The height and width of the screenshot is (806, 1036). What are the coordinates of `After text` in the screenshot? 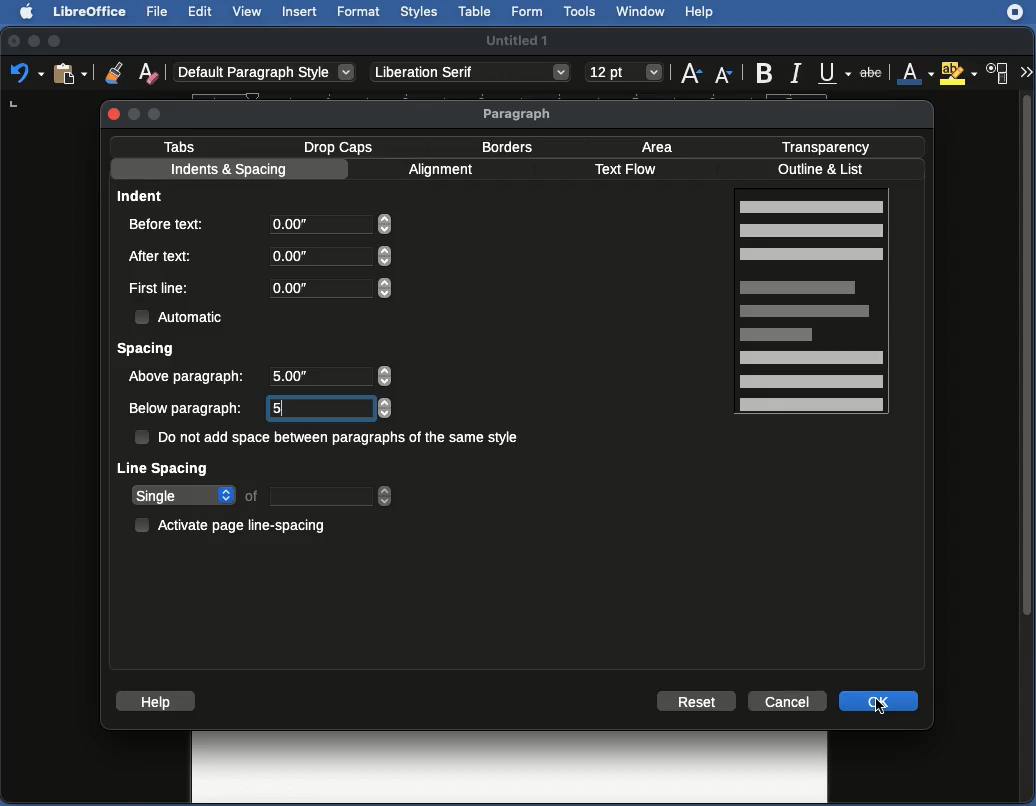 It's located at (164, 255).